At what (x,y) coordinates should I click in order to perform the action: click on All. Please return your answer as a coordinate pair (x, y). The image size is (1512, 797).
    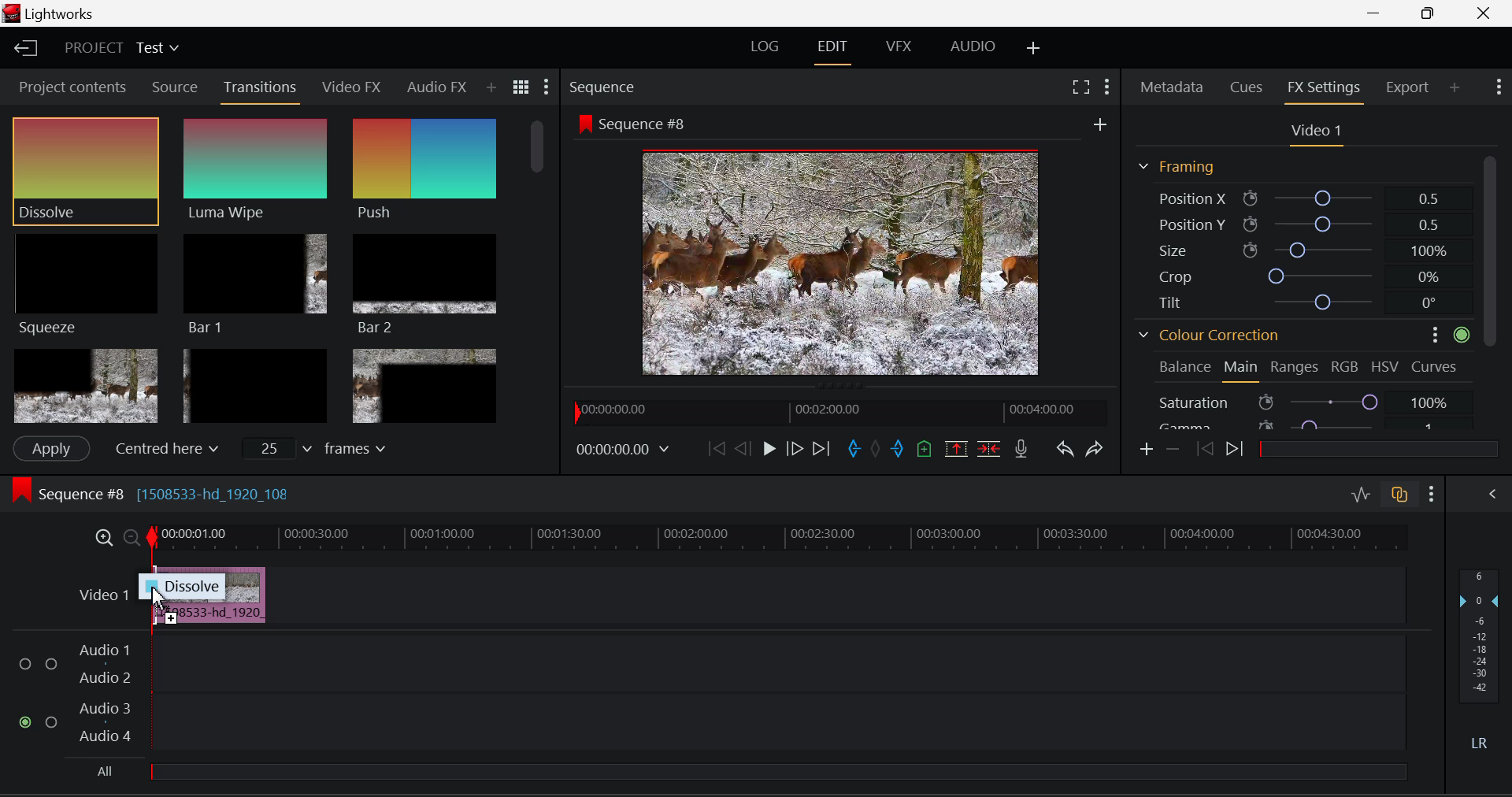
    Looking at the image, I should click on (744, 776).